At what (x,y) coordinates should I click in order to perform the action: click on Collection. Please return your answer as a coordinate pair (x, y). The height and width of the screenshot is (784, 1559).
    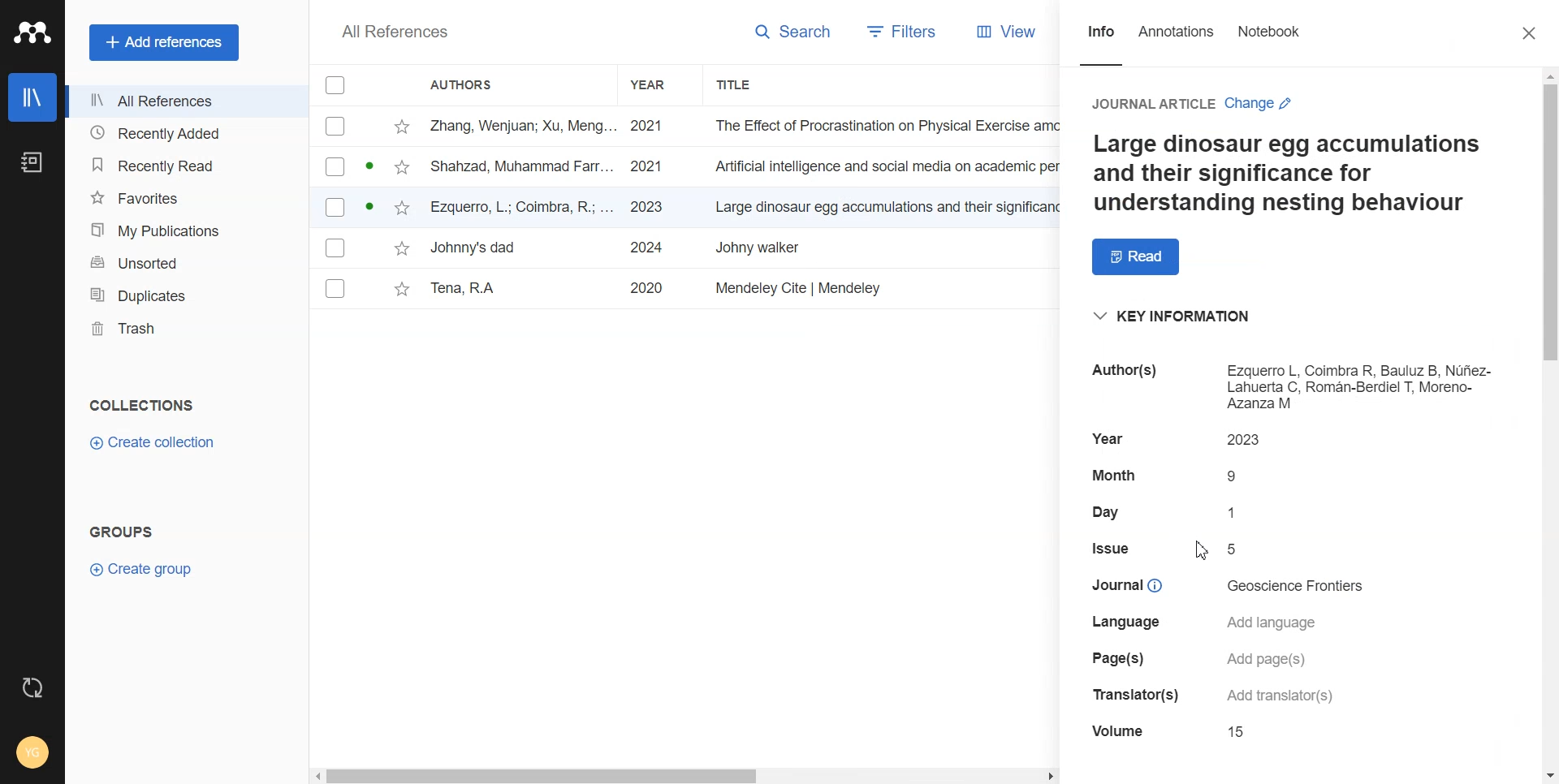
    Looking at the image, I should click on (141, 404).